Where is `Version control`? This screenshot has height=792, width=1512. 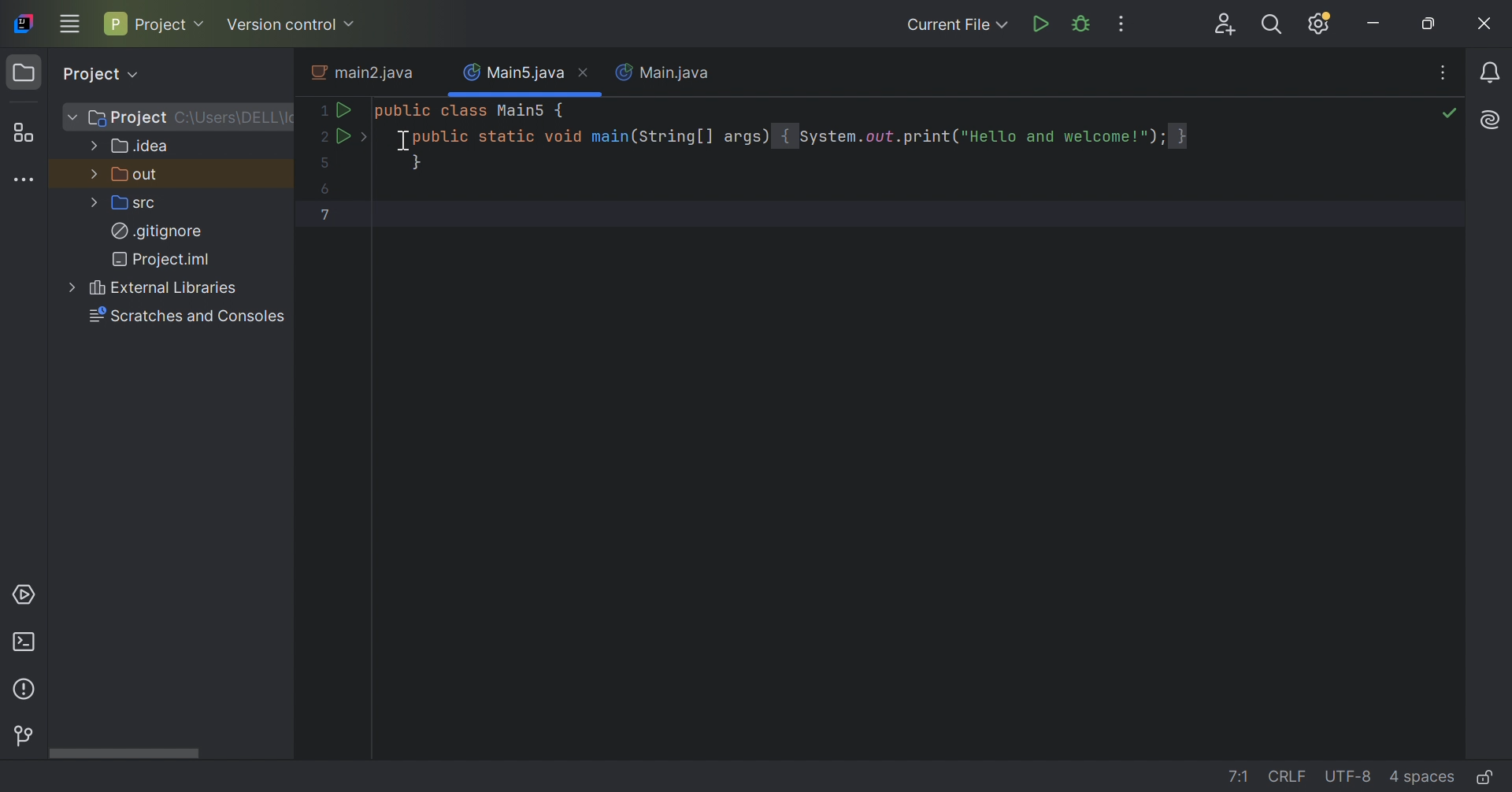 Version control is located at coordinates (22, 735).